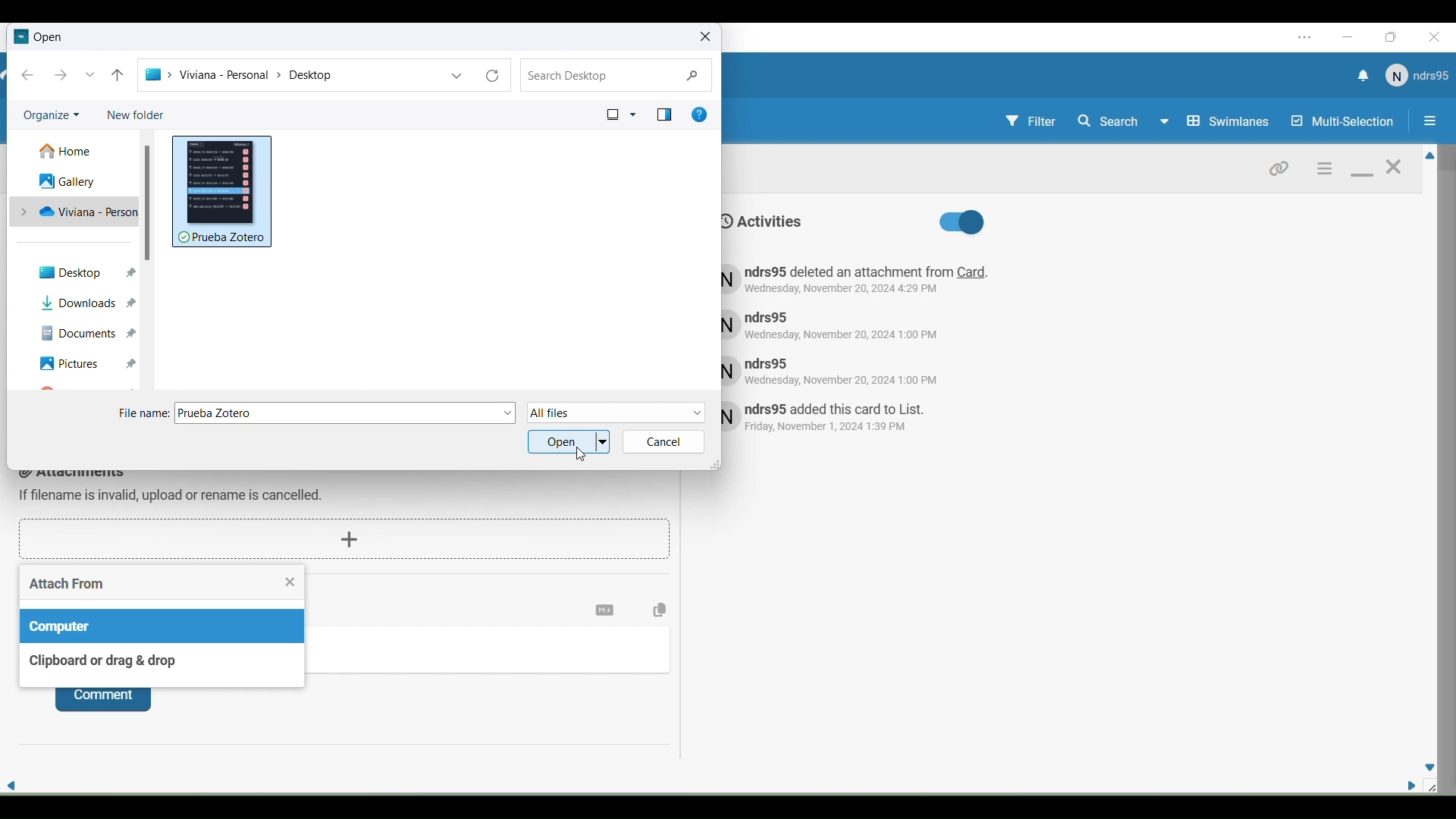  What do you see at coordinates (85, 273) in the screenshot?
I see `Desktop` at bounding box center [85, 273].